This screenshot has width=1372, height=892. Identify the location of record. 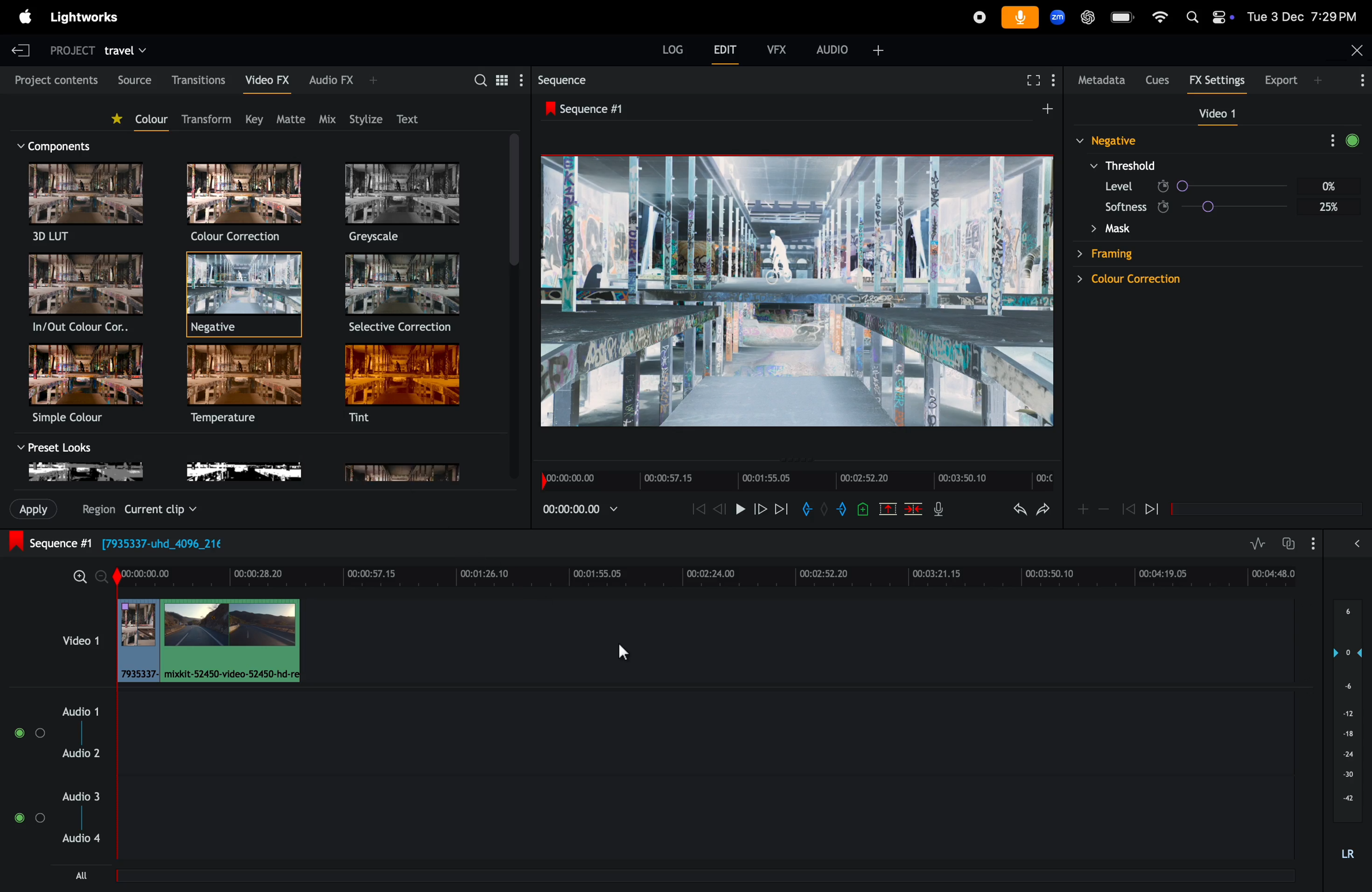
(976, 16).